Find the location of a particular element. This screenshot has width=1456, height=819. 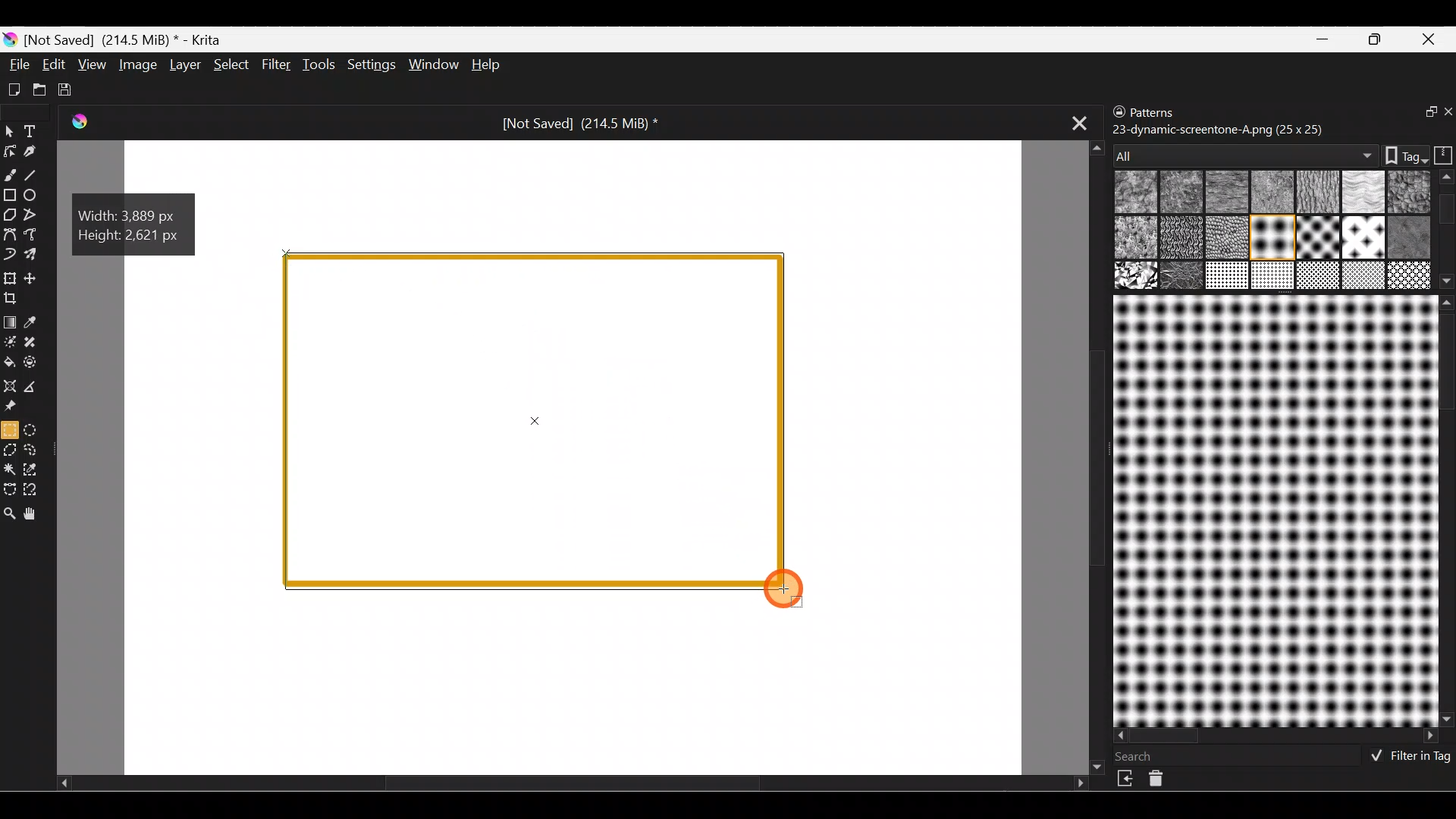

Select shapes is located at coordinates (9, 132).